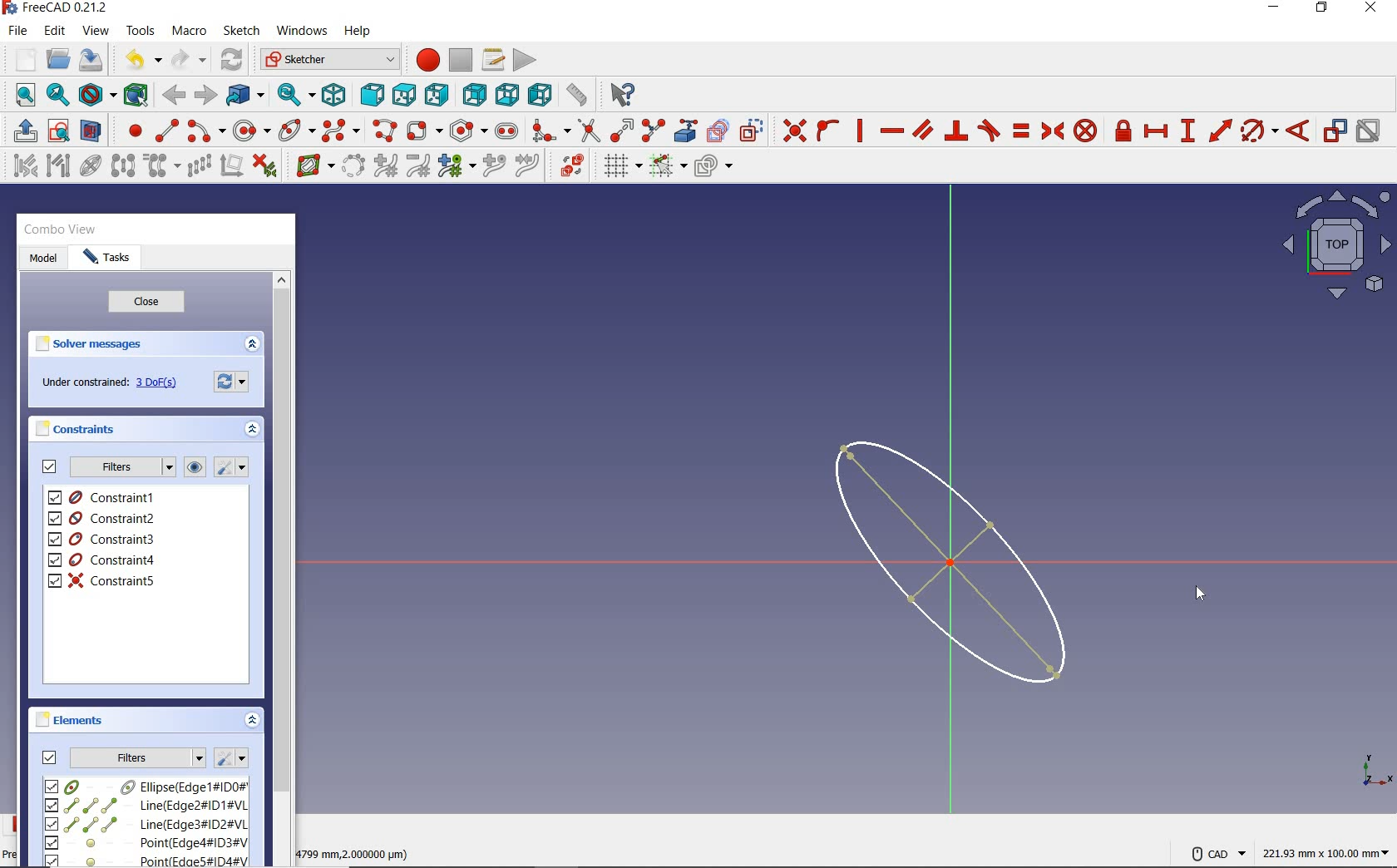 The height and width of the screenshot is (868, 1397). I want to click on system name, so click(56, 8).